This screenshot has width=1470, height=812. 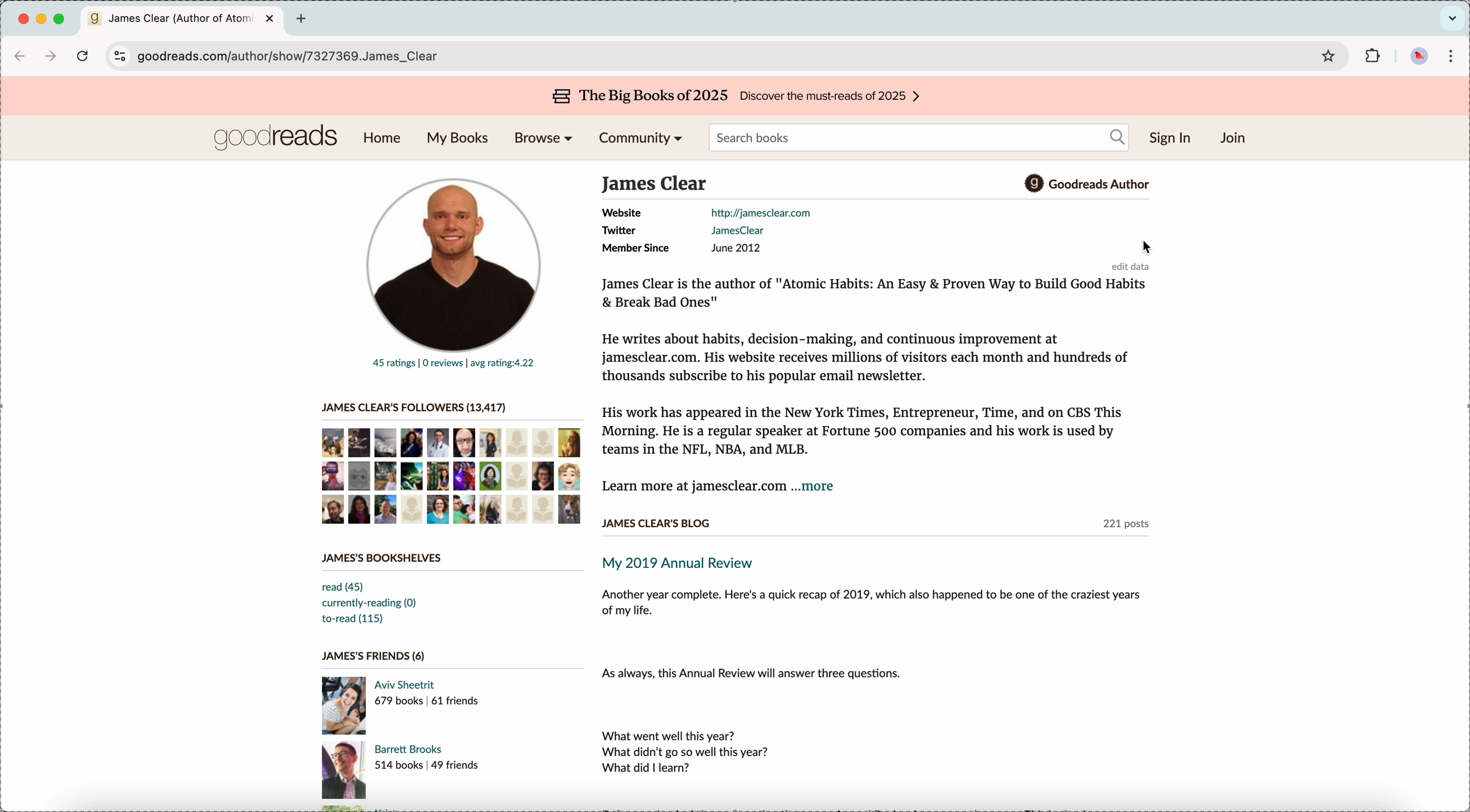 What do you see at coordinates (454, 364) in the screenshot?
I see `45 ratings | 0 review | avg rating:4.22` at bounding box center [454, 364].